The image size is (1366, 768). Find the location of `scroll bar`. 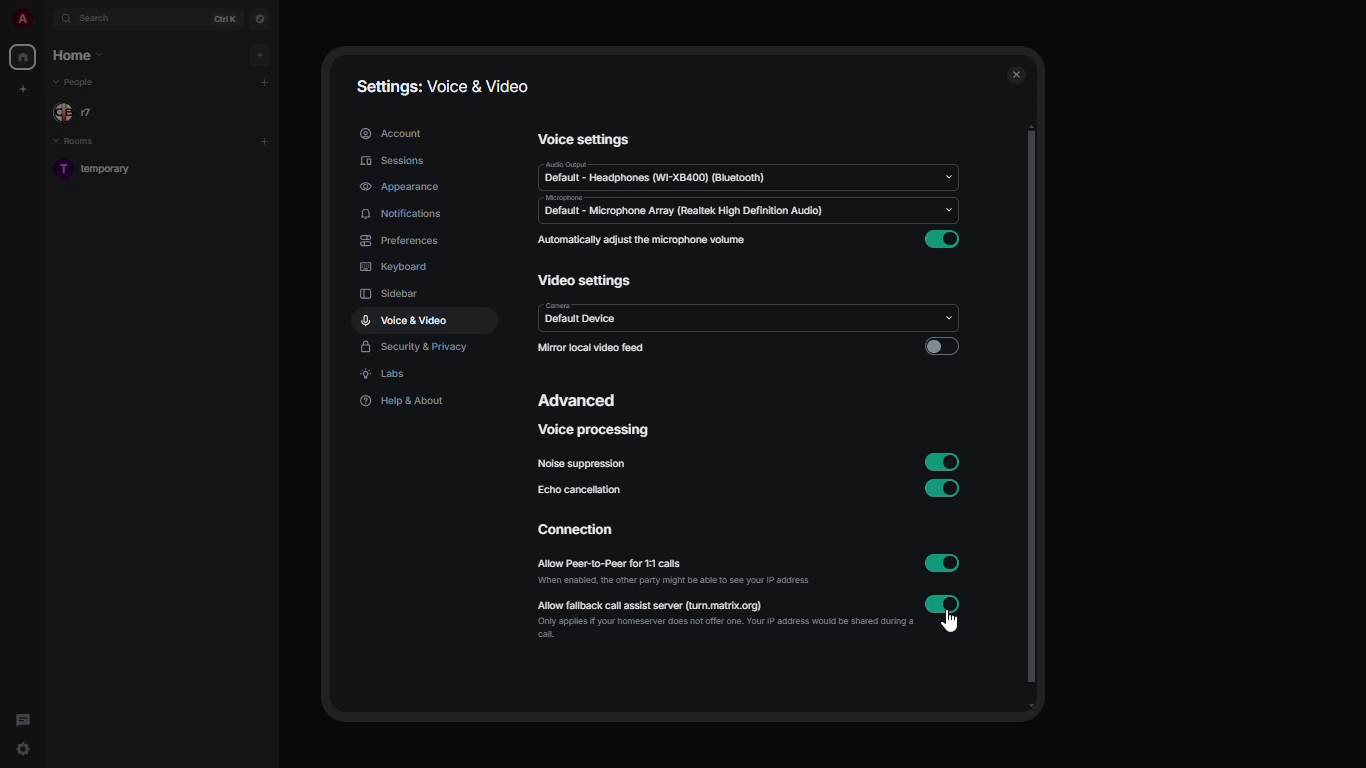

scroll bar is located at coordinates (1029, 421).